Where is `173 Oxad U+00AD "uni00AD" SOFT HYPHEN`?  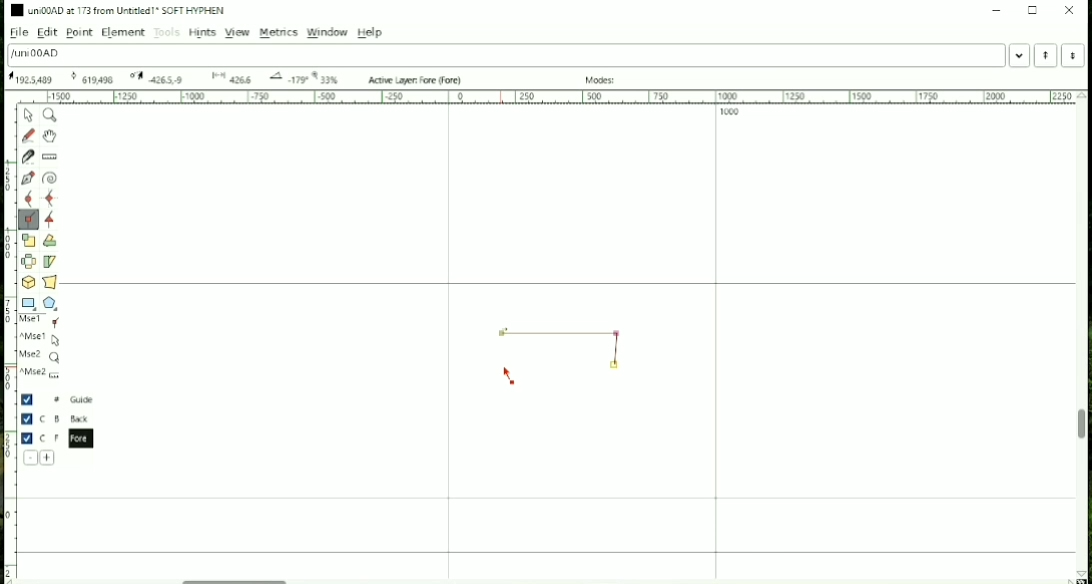 173 Oxad U+00AD "uni00AD" SOFT HYPHEN is located at coordinates (231, 77).